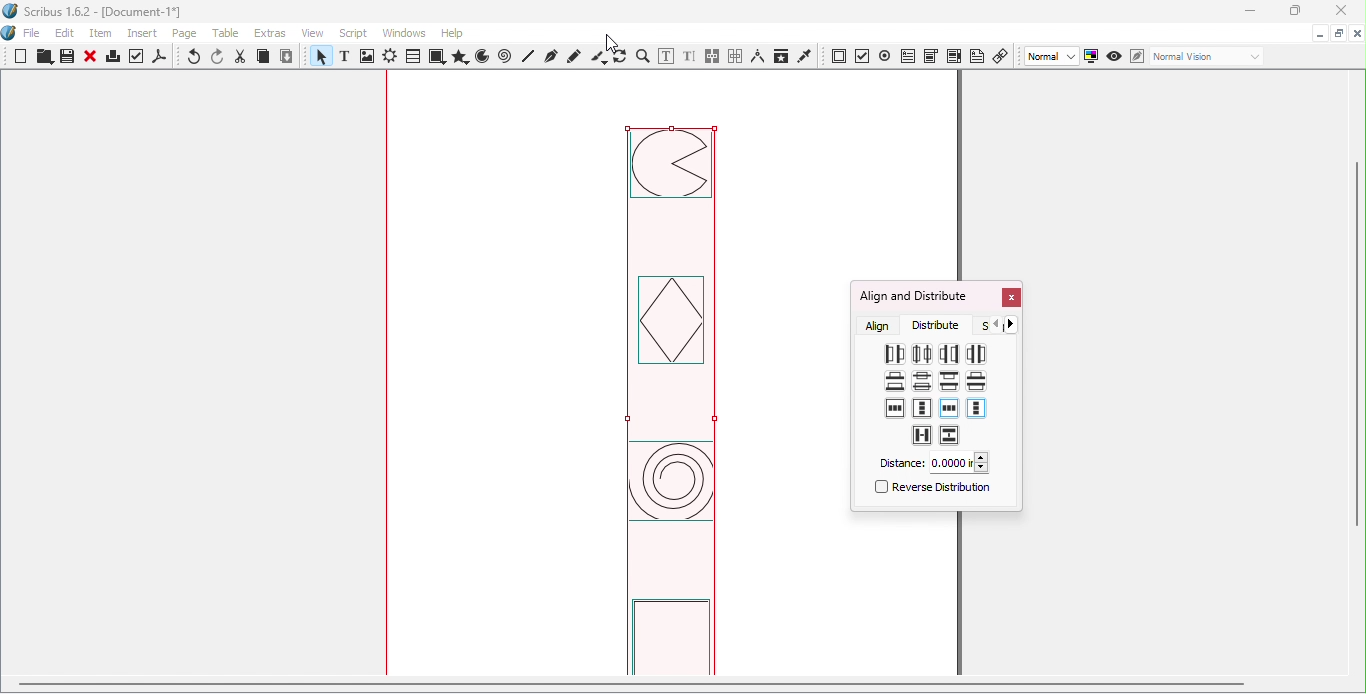  What do you see at coordinates (896, 408) in the screenshot?
I see `Make horizontal gaps between and sides of page equal` at bounding box center [896, 408].